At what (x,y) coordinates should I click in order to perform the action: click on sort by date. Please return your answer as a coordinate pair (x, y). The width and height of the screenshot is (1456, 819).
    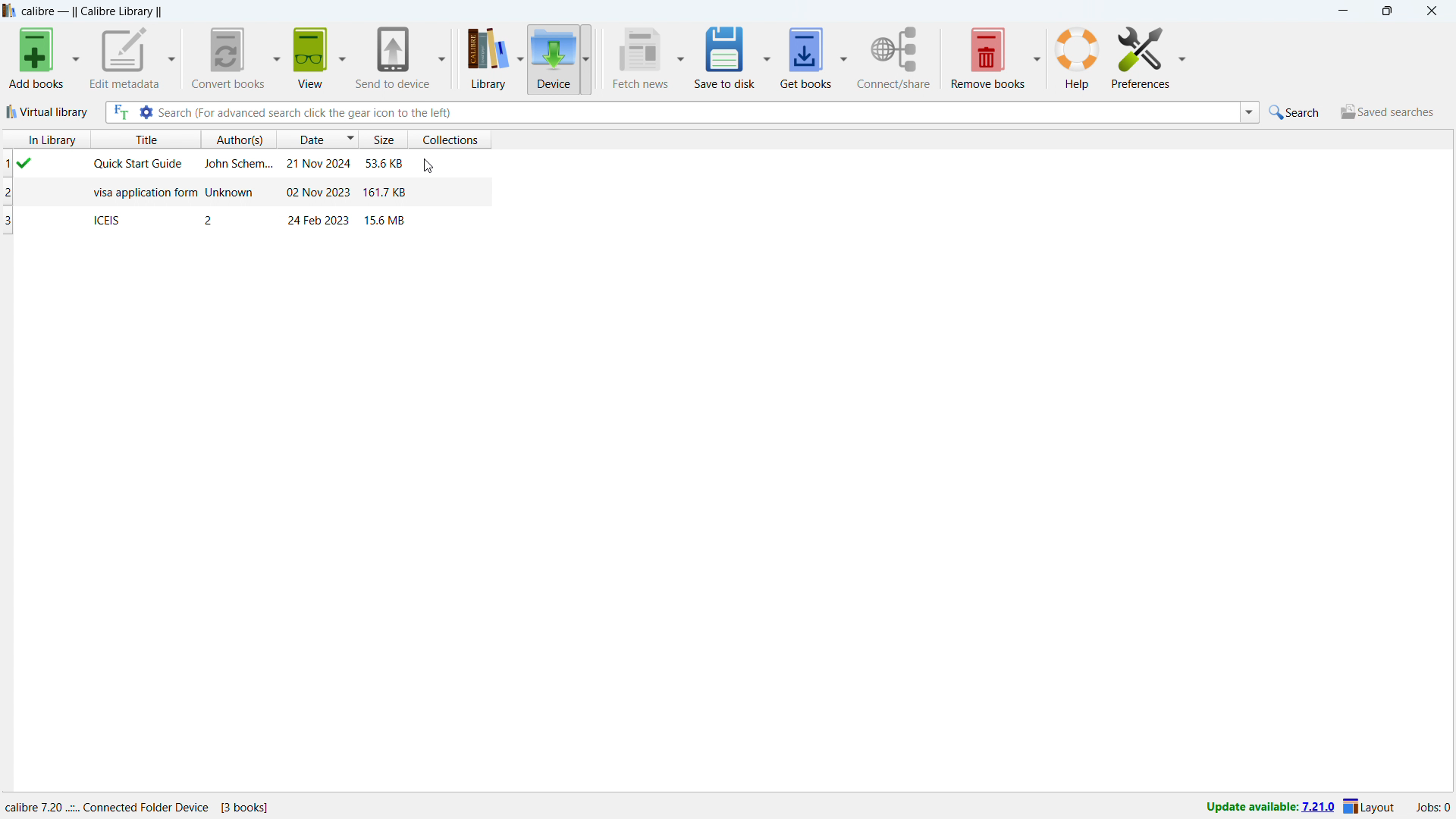
    Looking at the image, I should click on (318, 139).